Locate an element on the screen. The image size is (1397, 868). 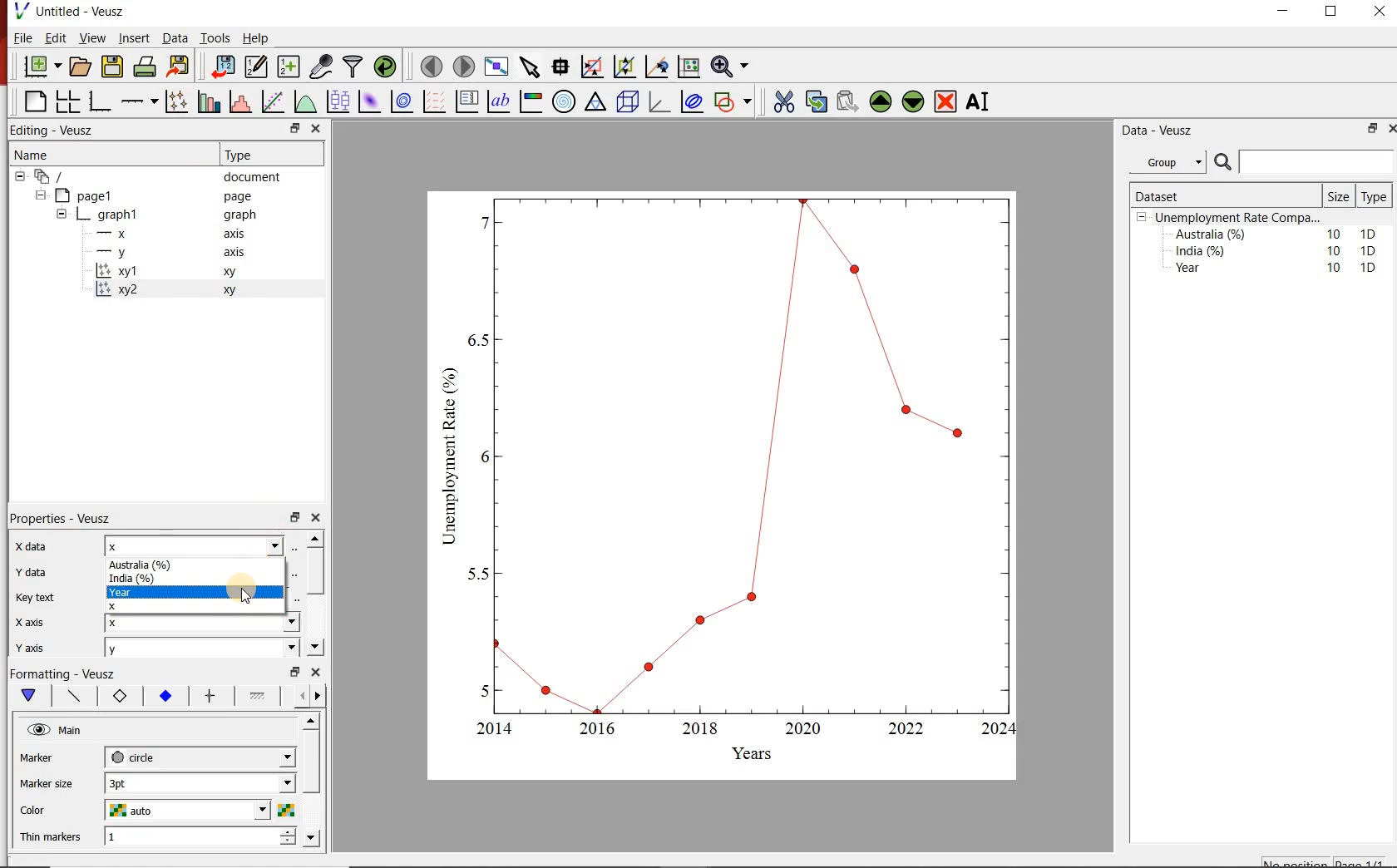
MArker is located at coordinates (48, 760).